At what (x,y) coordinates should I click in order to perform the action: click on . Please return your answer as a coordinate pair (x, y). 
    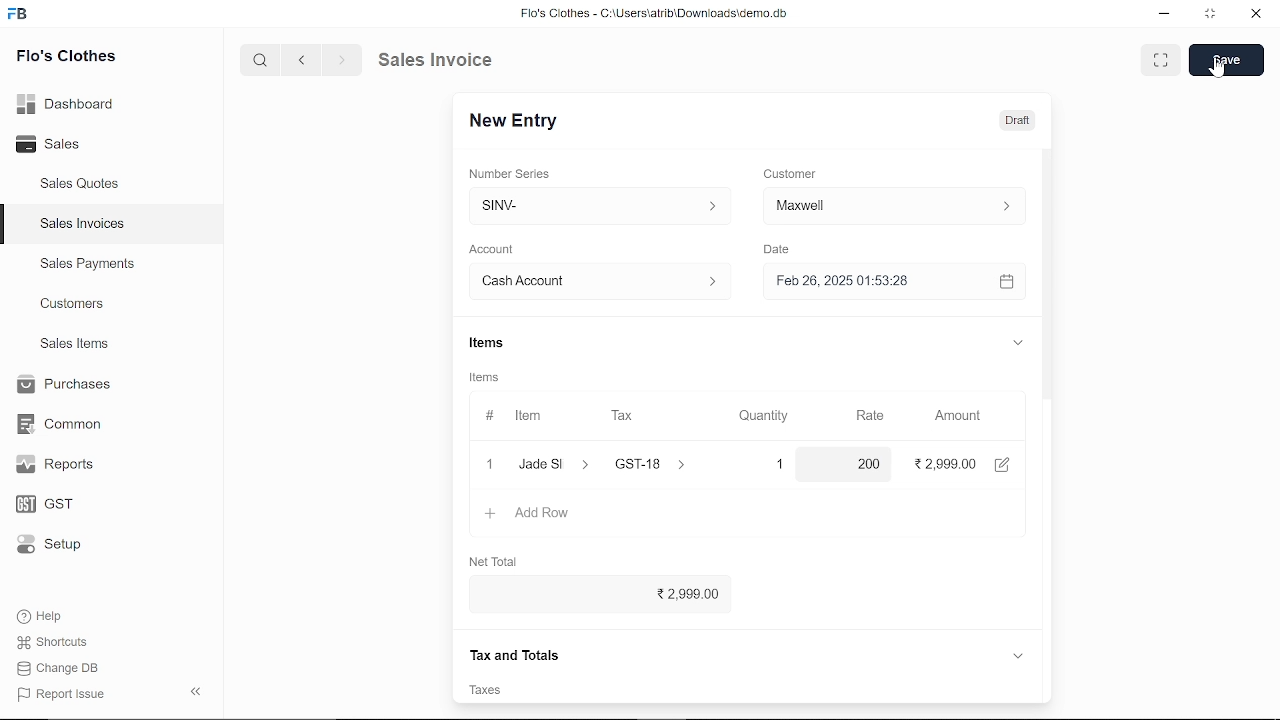
    Looking at the image, I should click on (487, 379).